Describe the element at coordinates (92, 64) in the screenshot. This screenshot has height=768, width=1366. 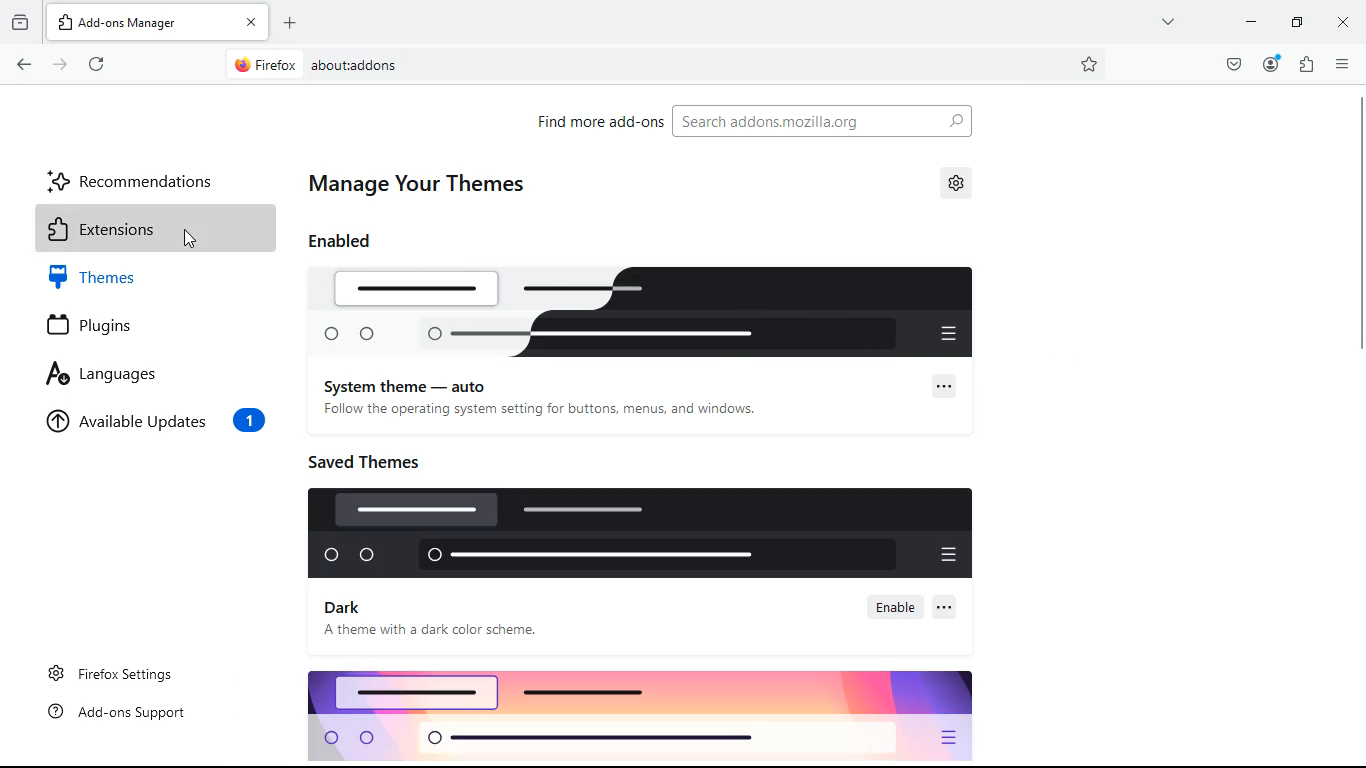
I see `refresh` at that location.